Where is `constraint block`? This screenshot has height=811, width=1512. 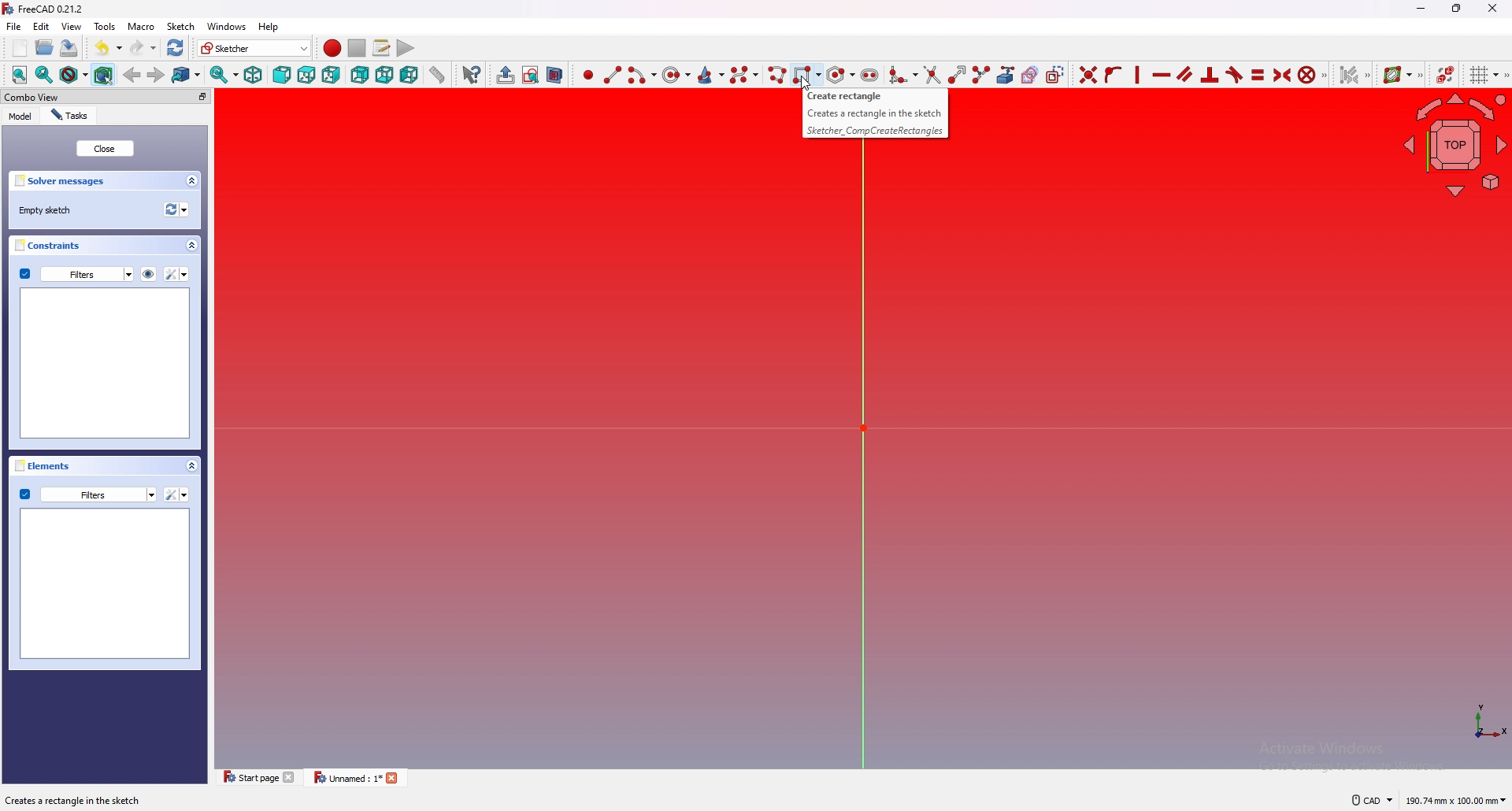 constraint block is located at coordinates (1307, 74).